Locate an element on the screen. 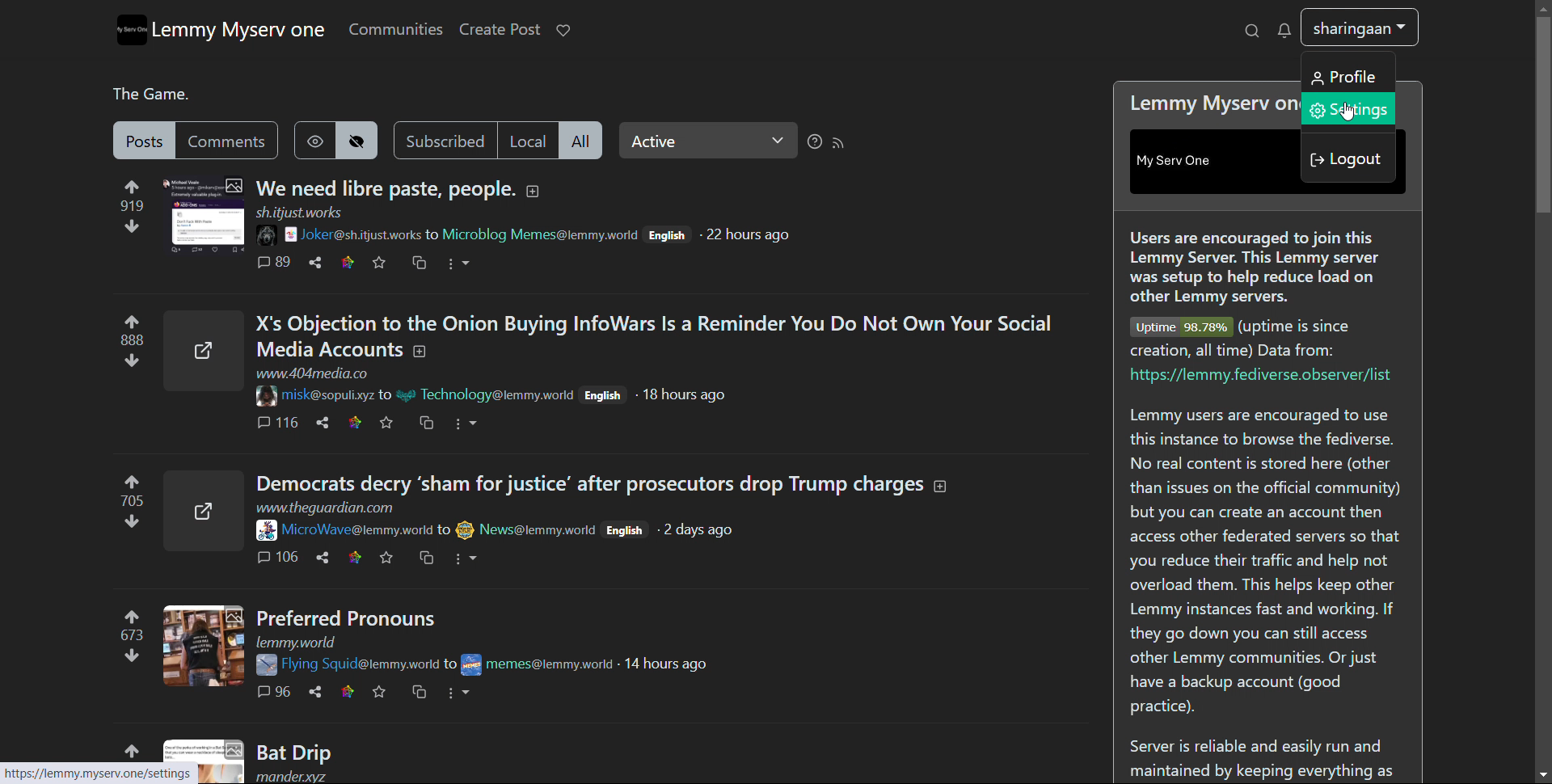 The width and height of the screenshot is (1552, 784). to is located at coordinates (428, 233).